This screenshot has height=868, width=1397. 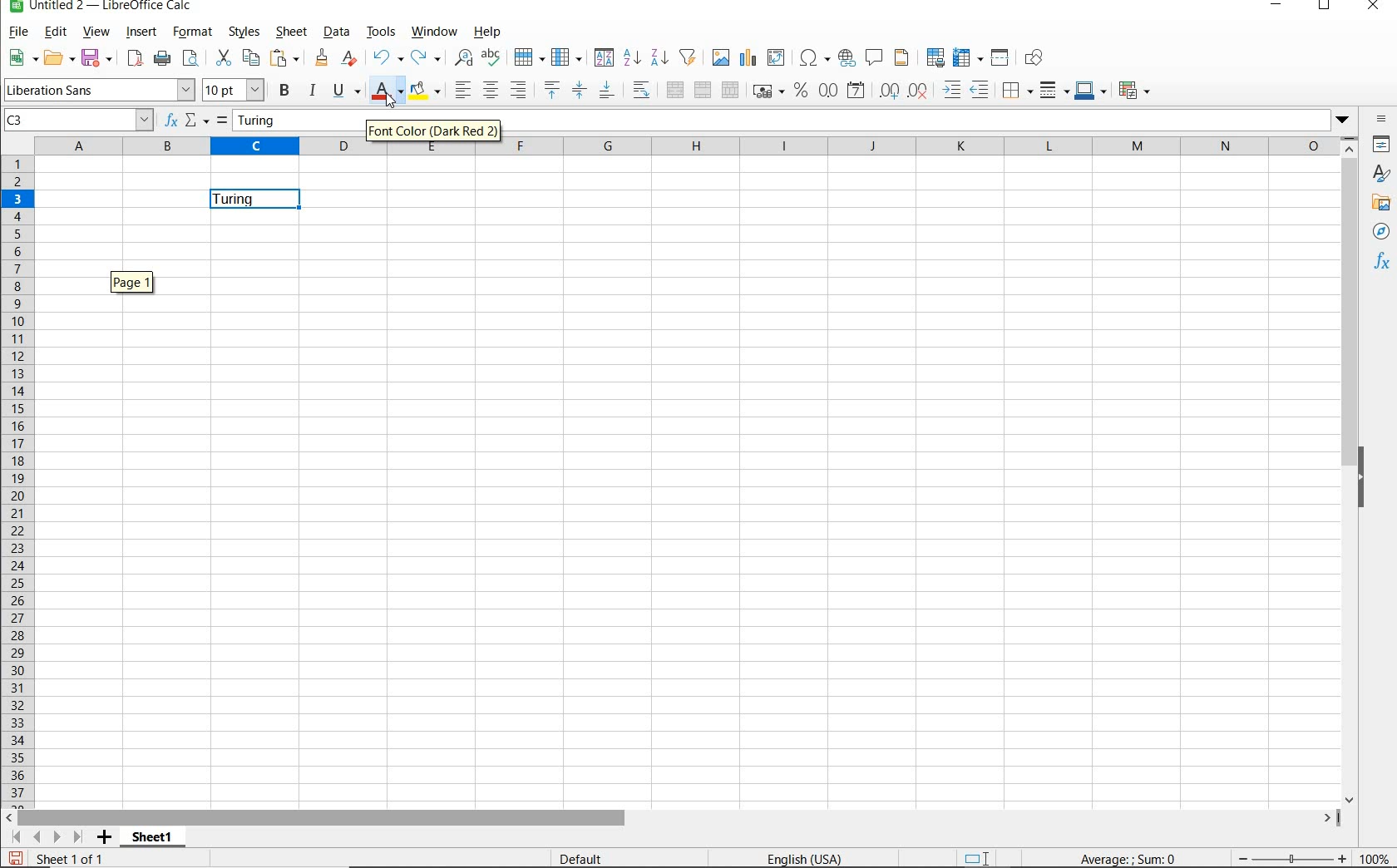 I want to click on RESTORE DOWN, so click(x=1325, y=7).